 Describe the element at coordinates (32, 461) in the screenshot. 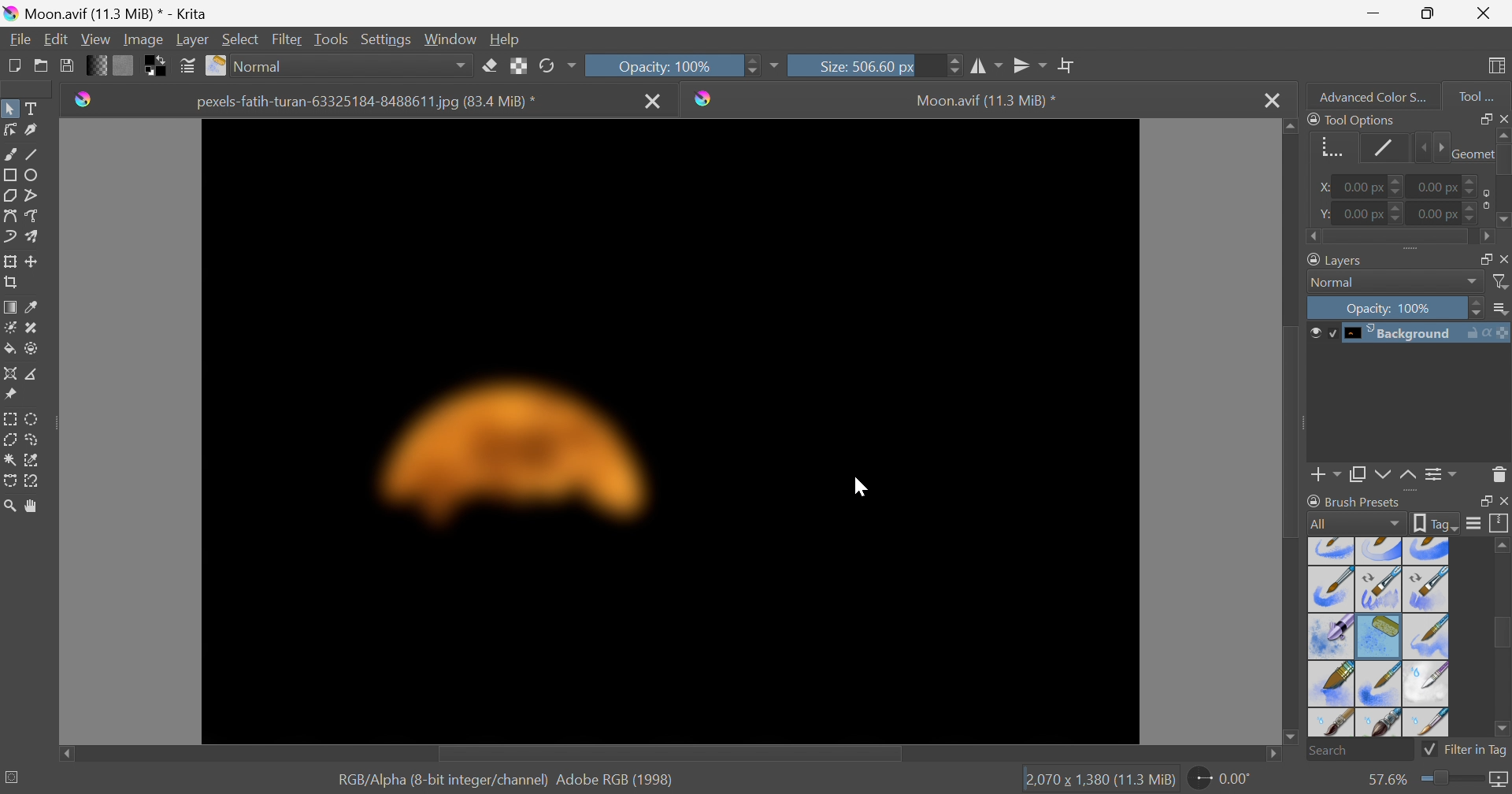

I see `Similar color selection tool` at that location.